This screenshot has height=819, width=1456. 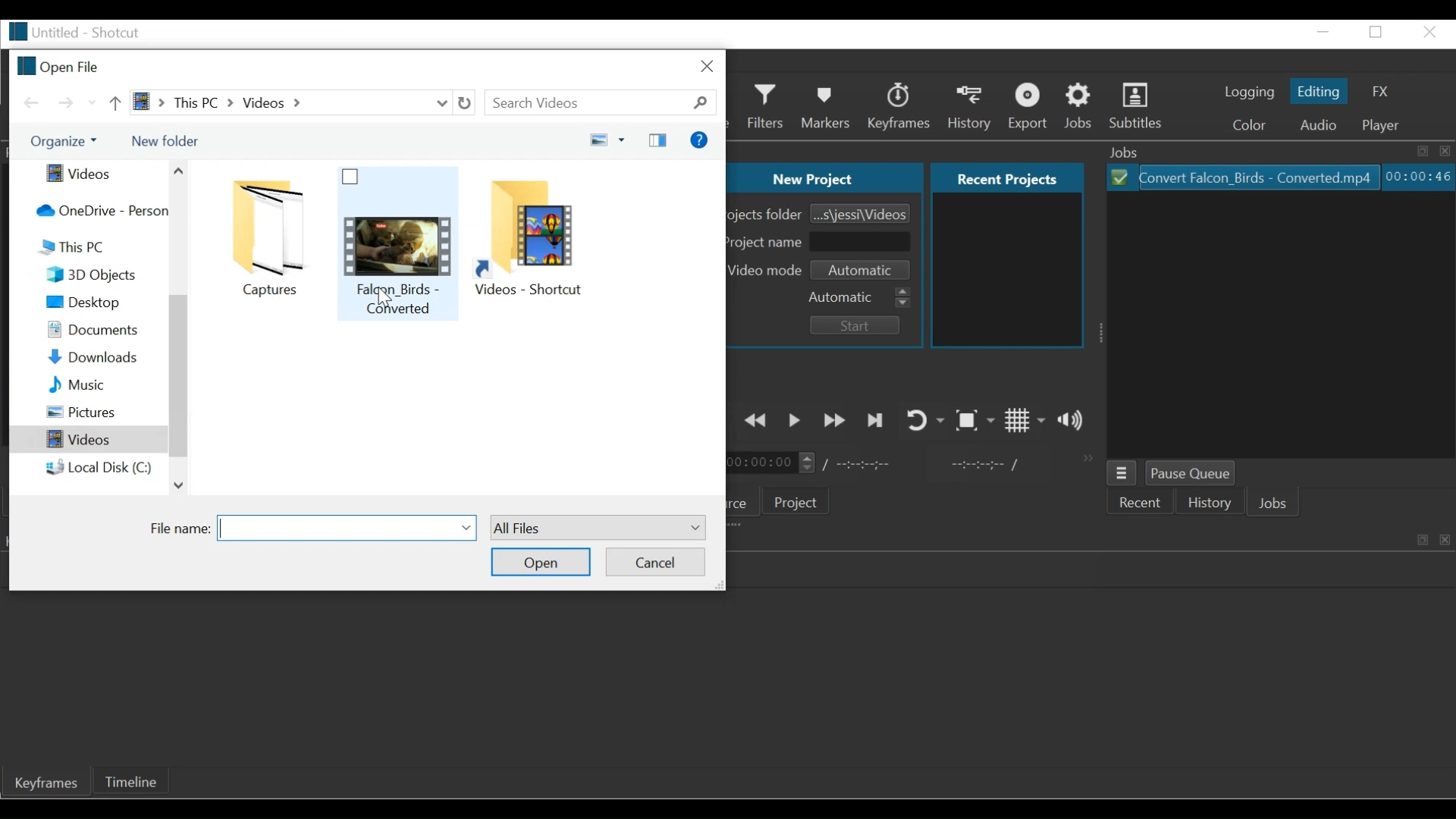 What do you see at coordinates (773, 465) in the screenshot?
I see `Current position` at bounding box center [773, 465].